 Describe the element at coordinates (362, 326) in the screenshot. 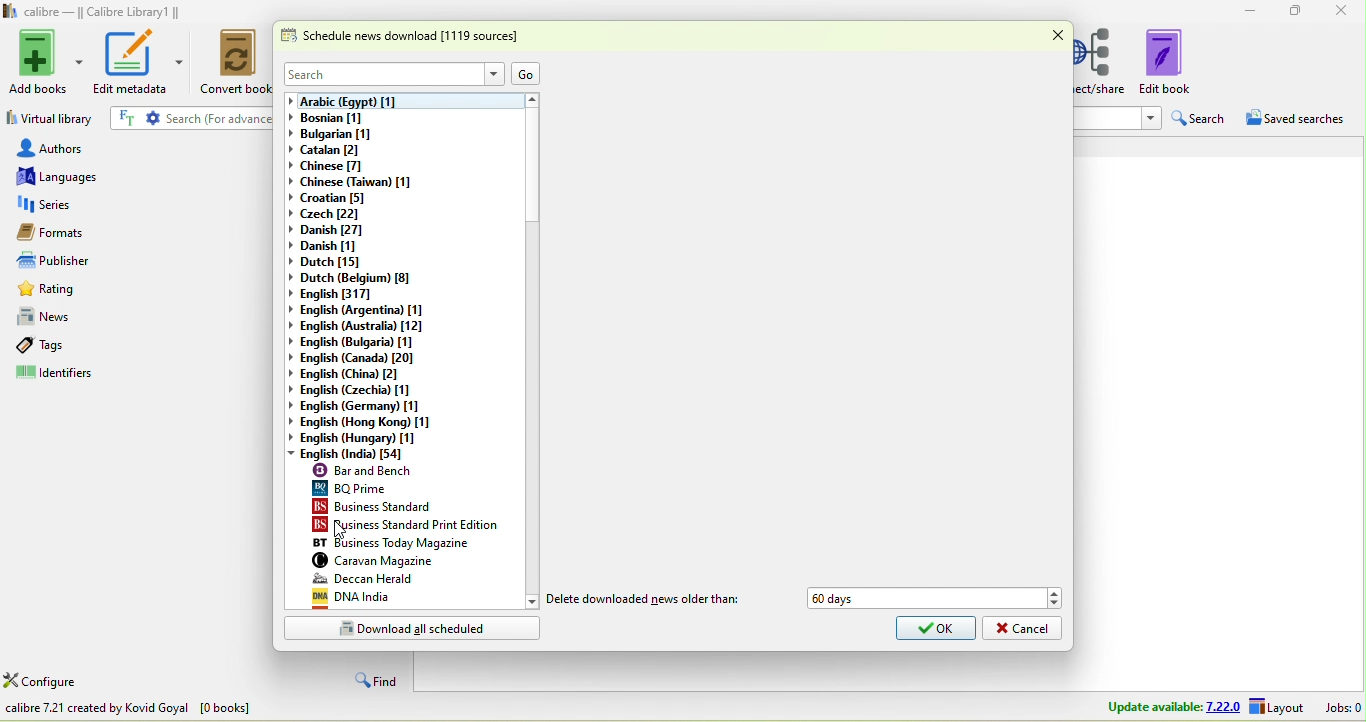

I see `english (australia)[12]` at that location.